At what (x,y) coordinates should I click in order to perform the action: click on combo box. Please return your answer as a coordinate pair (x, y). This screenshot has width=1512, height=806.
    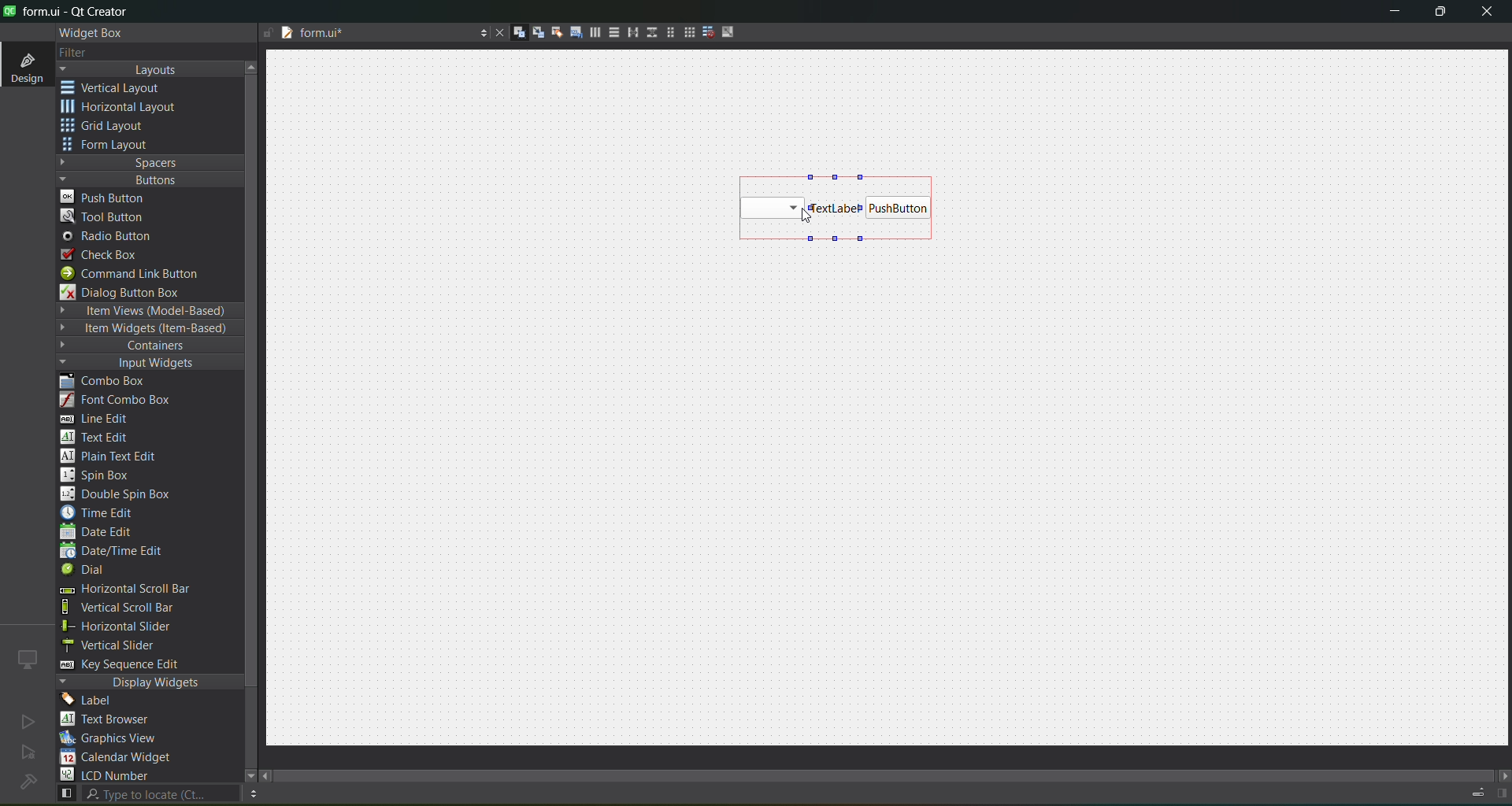
    Looking at the image, I should click on (772, 209).